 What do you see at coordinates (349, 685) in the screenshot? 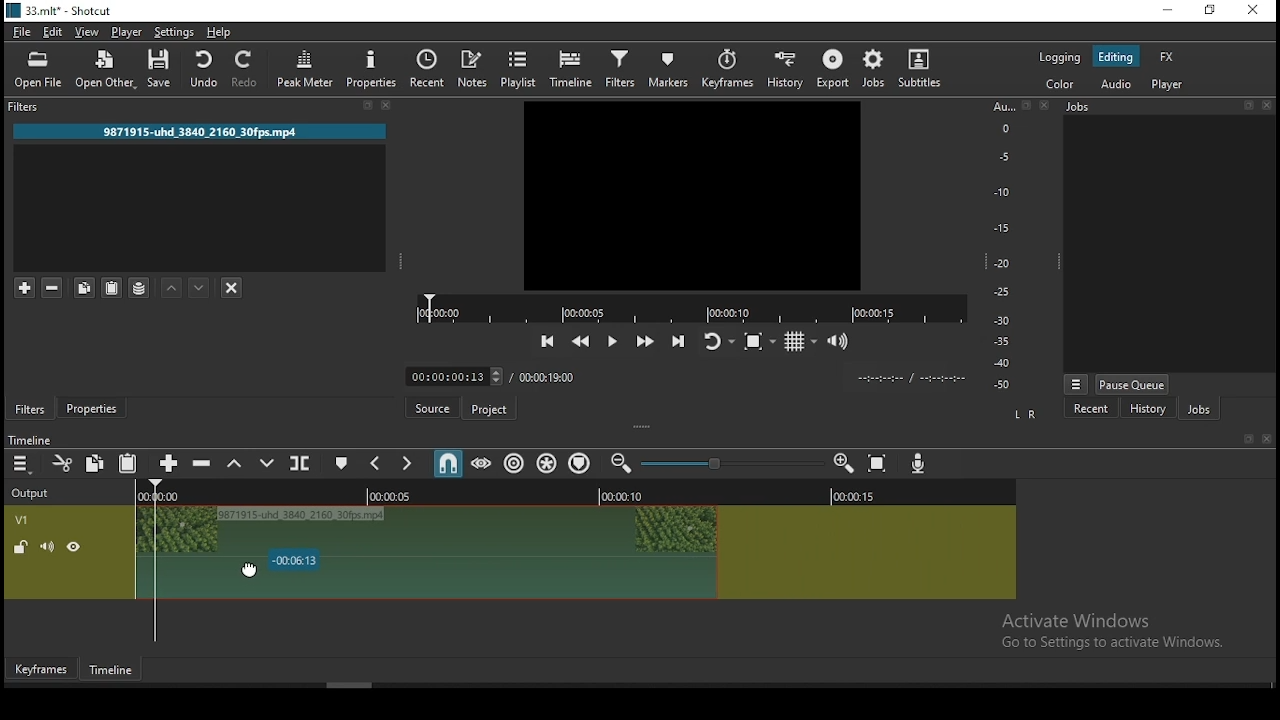
I see `scroll bar` at bounding box center [349, 685].